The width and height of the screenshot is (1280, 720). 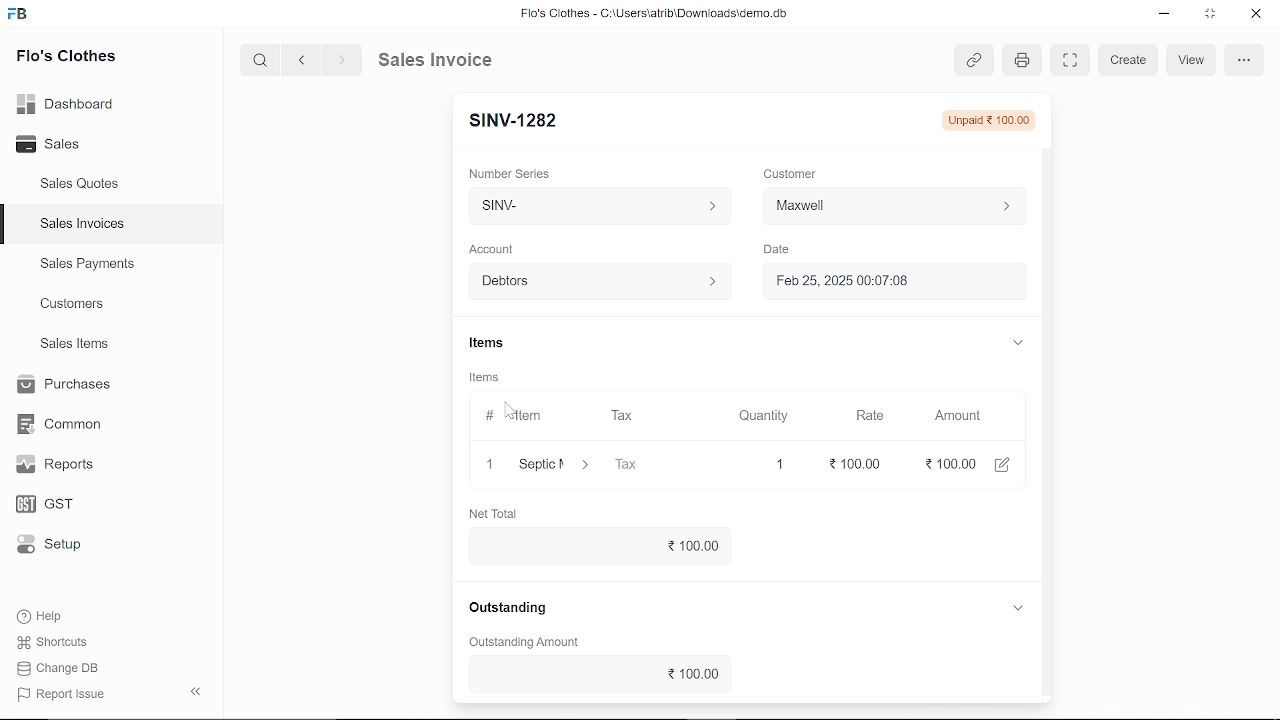 I want to click on link, so click(x=973, y=62).